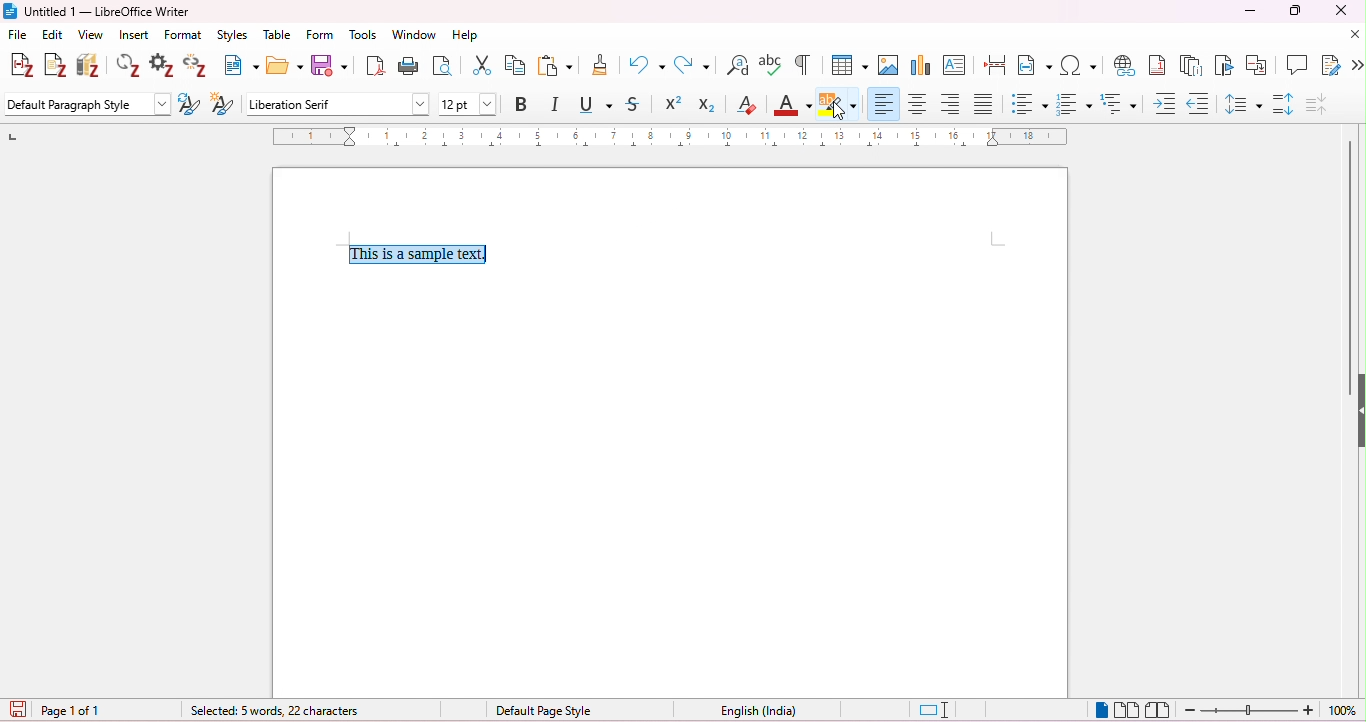 This screenshot has width=1366, height=722. Describe the element at coordinates (917, 103) in the screenshot. I see `align center` at that location.